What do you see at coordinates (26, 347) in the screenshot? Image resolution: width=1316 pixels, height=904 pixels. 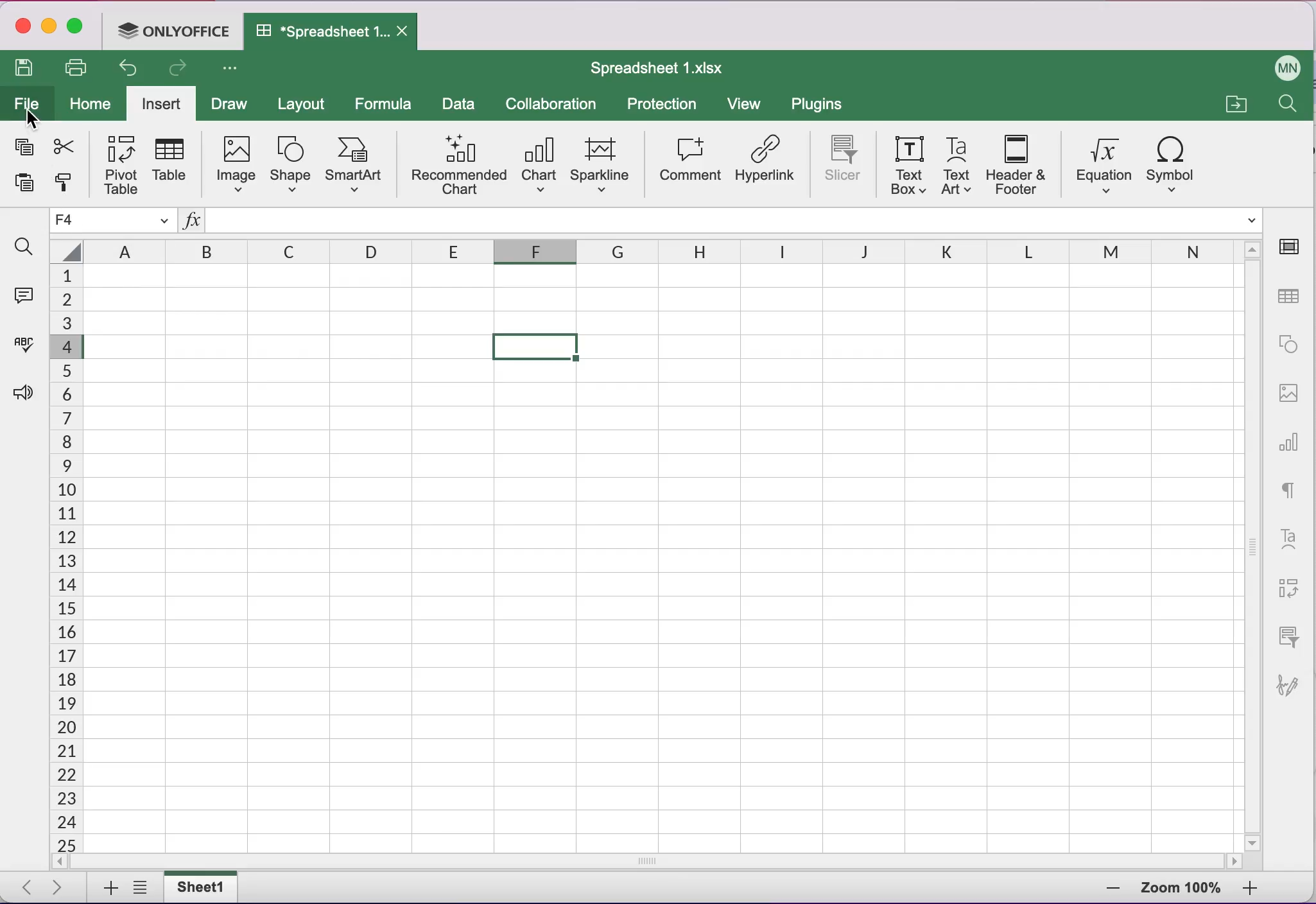 I see `spell checking` at bounding box center [26, 347].